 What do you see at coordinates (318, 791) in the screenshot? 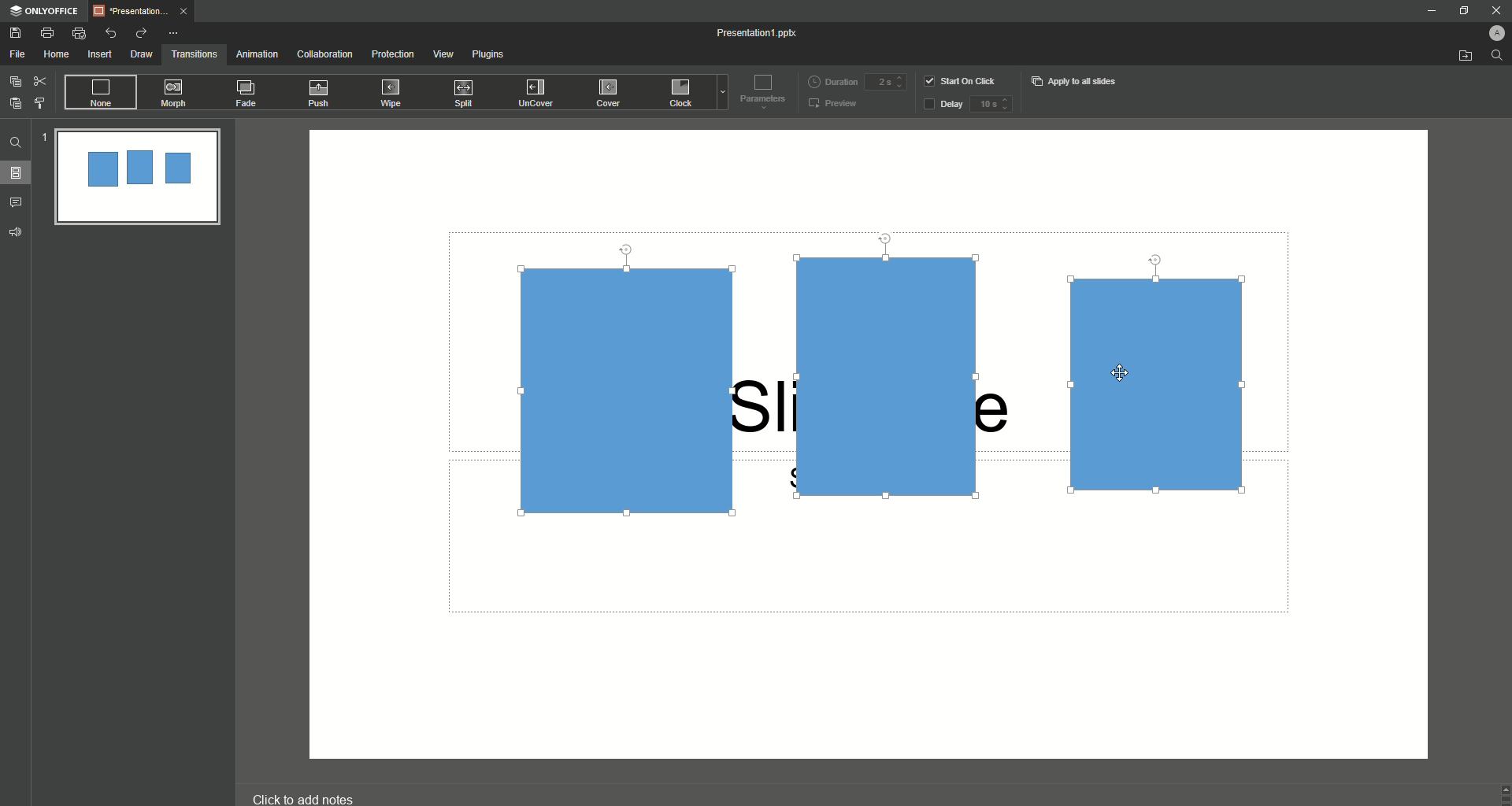
I see `click to add notes` at bounding box center [318, 791].